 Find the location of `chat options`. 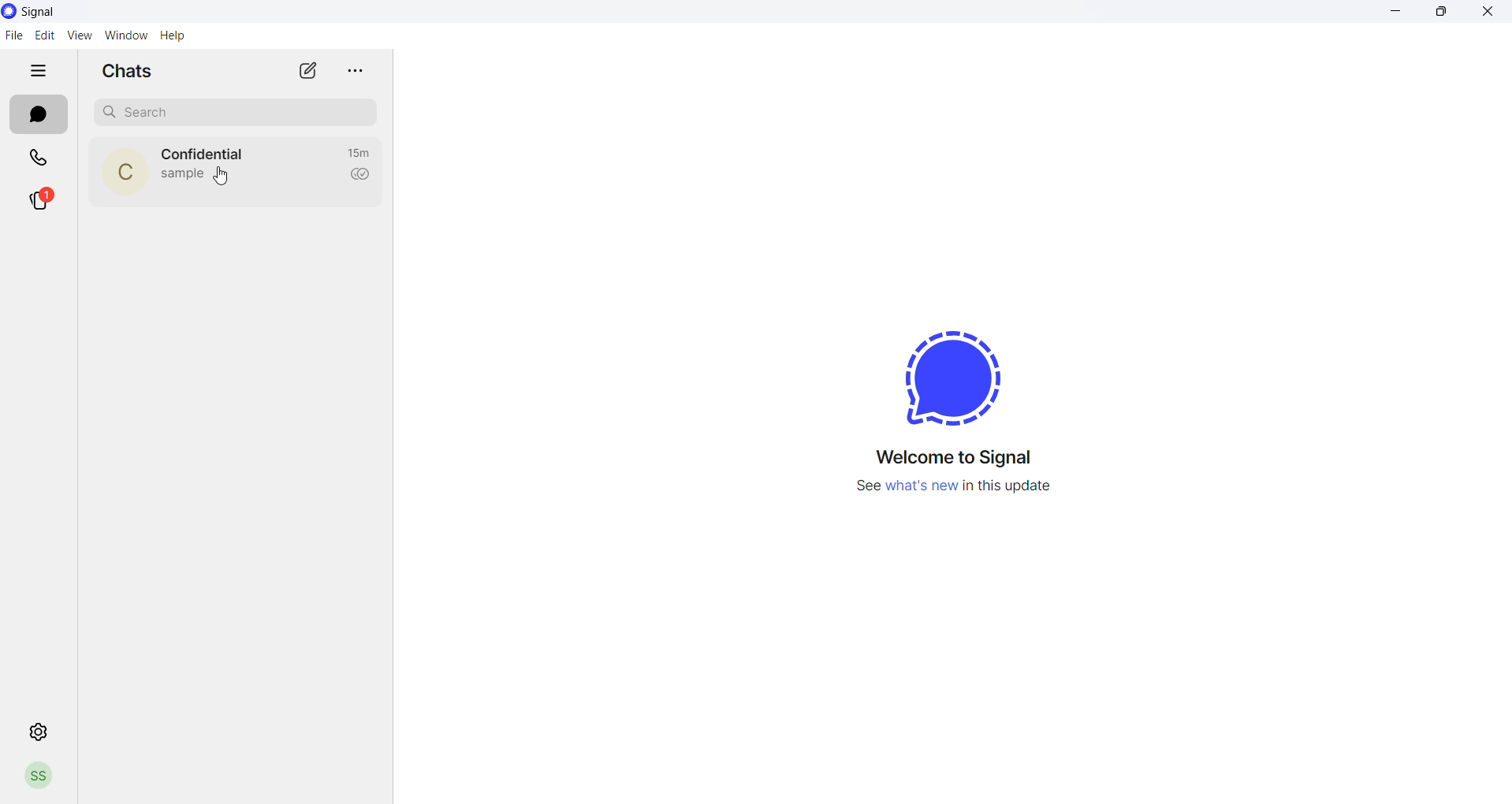

chat options is located at coordinates (351, 71).